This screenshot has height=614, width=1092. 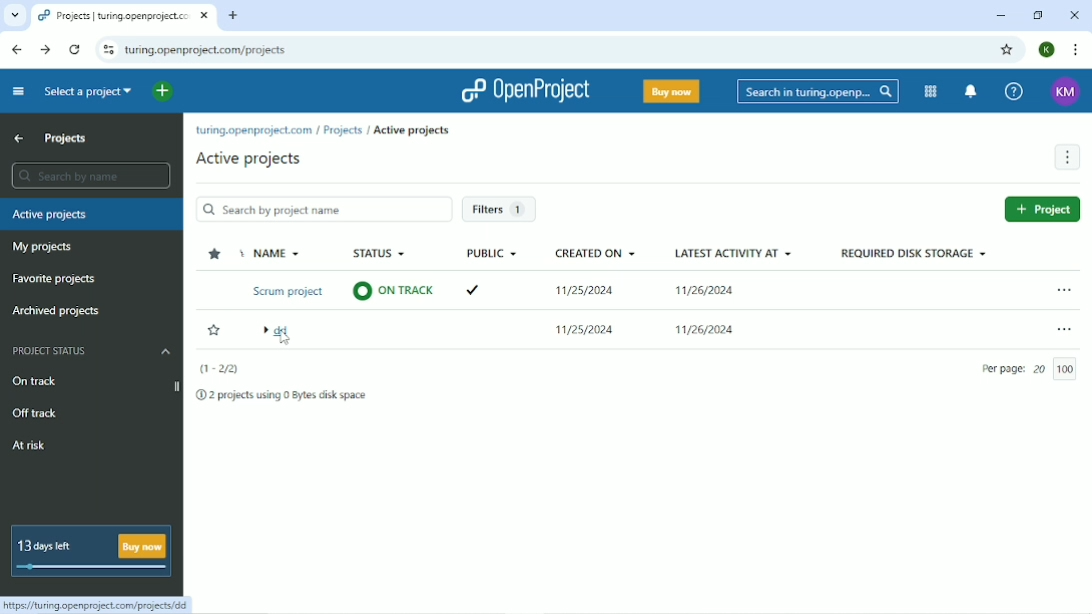 I want to click on turing.openprojects.com/projects, so click(x=210, y=50).